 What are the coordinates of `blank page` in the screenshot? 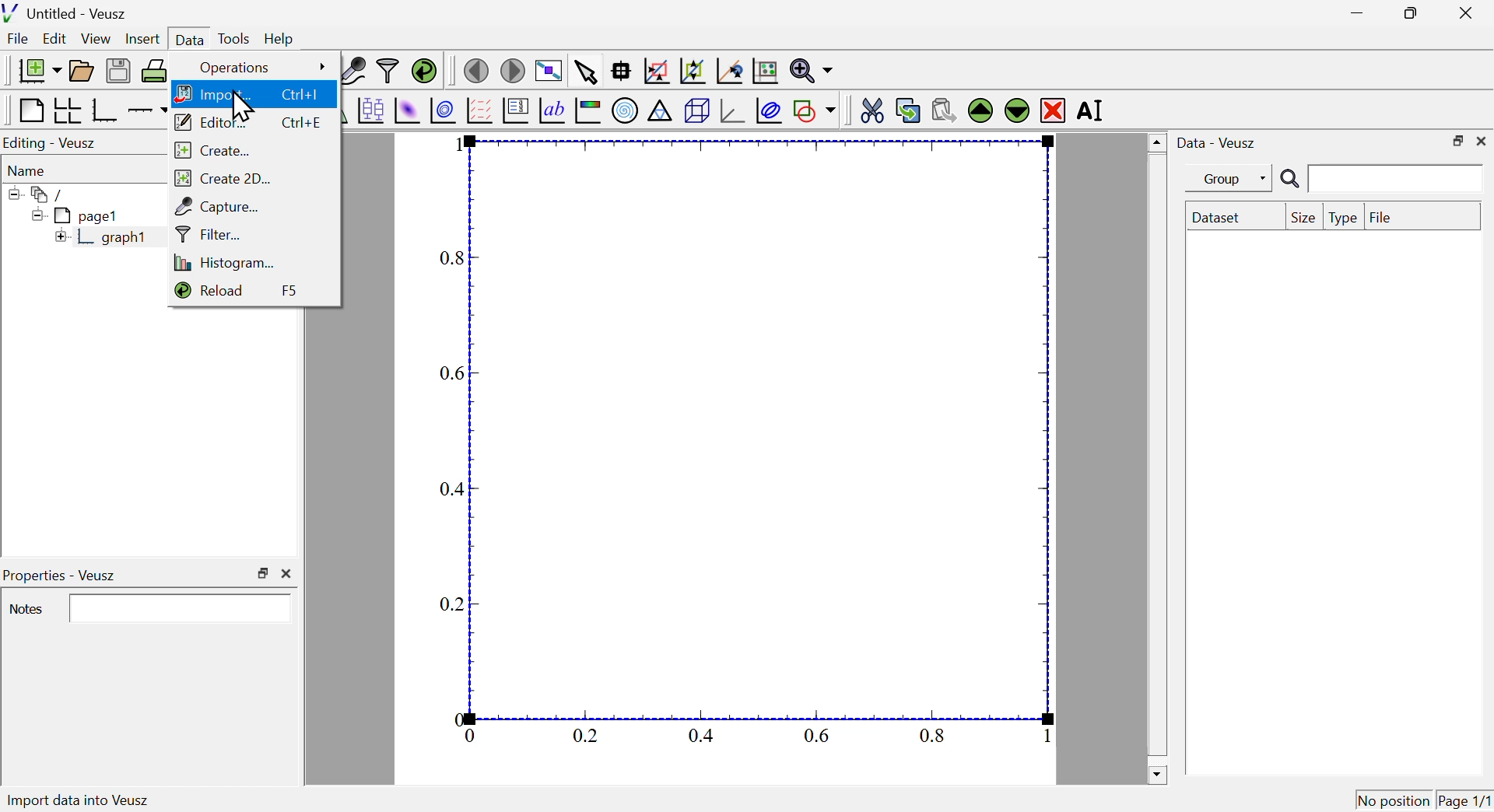 It's located at (30, 110).